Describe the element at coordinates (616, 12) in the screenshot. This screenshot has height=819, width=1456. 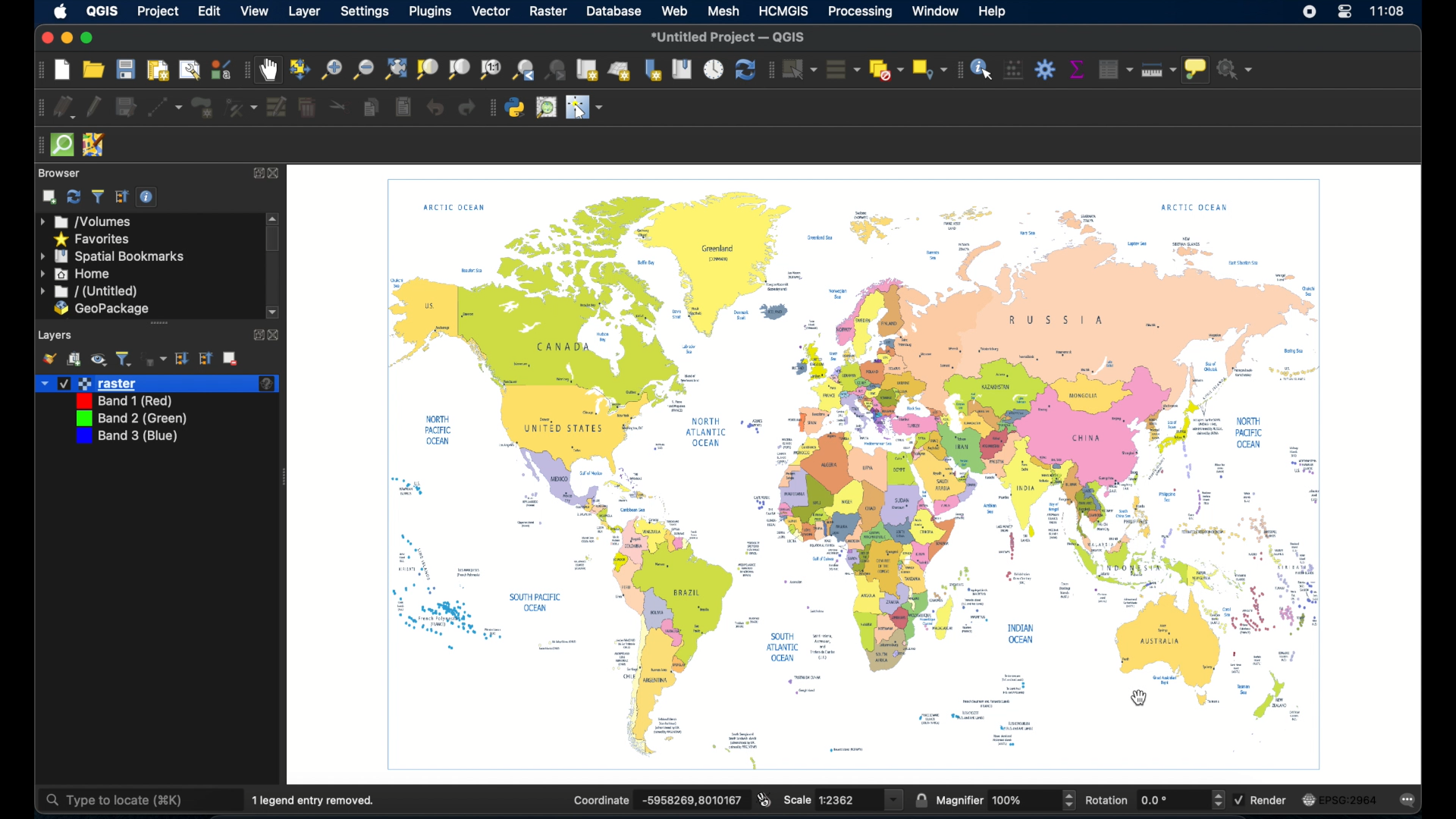
I see `database` at that location.